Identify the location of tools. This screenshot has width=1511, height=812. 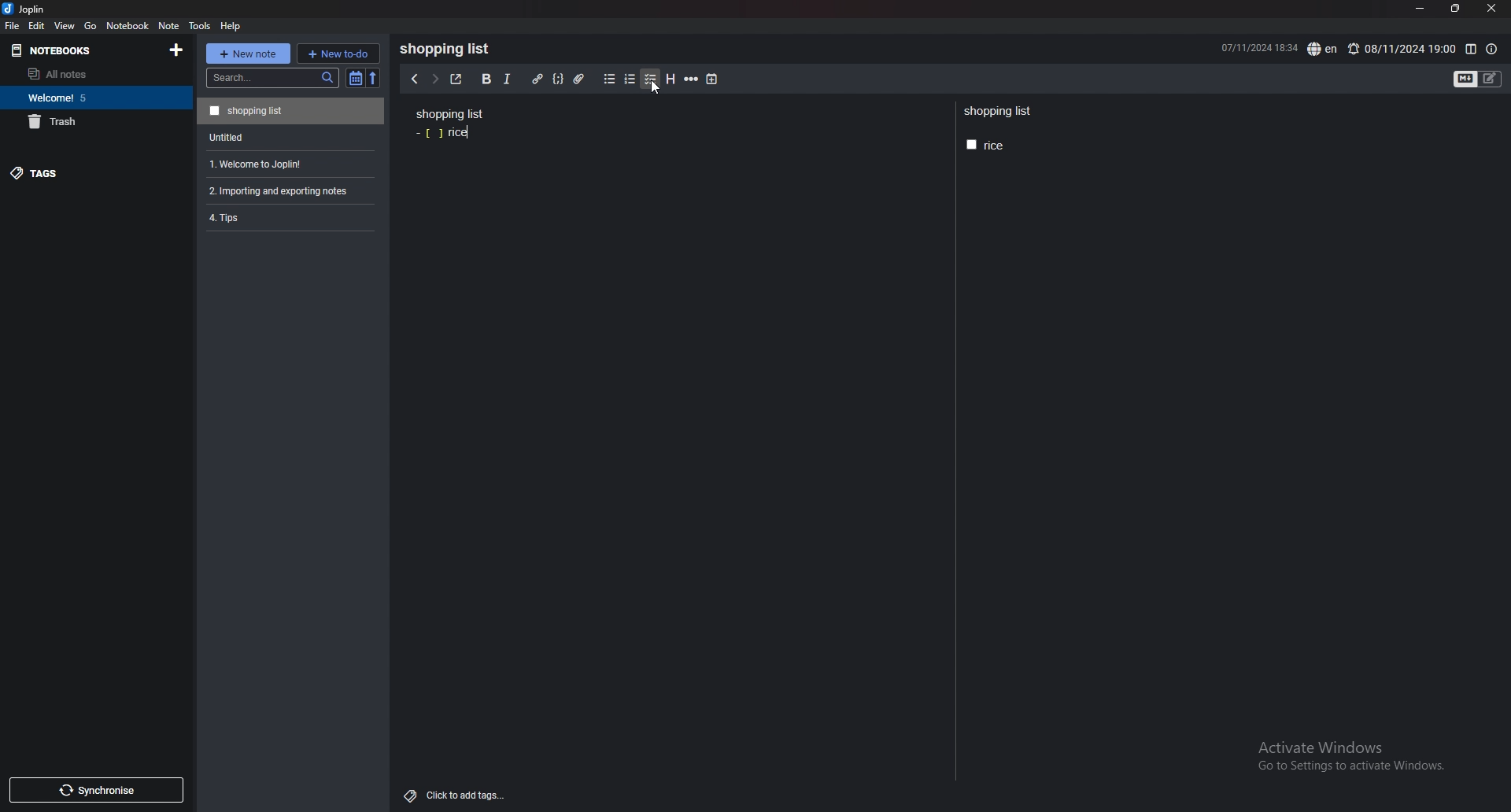
(199, 26).